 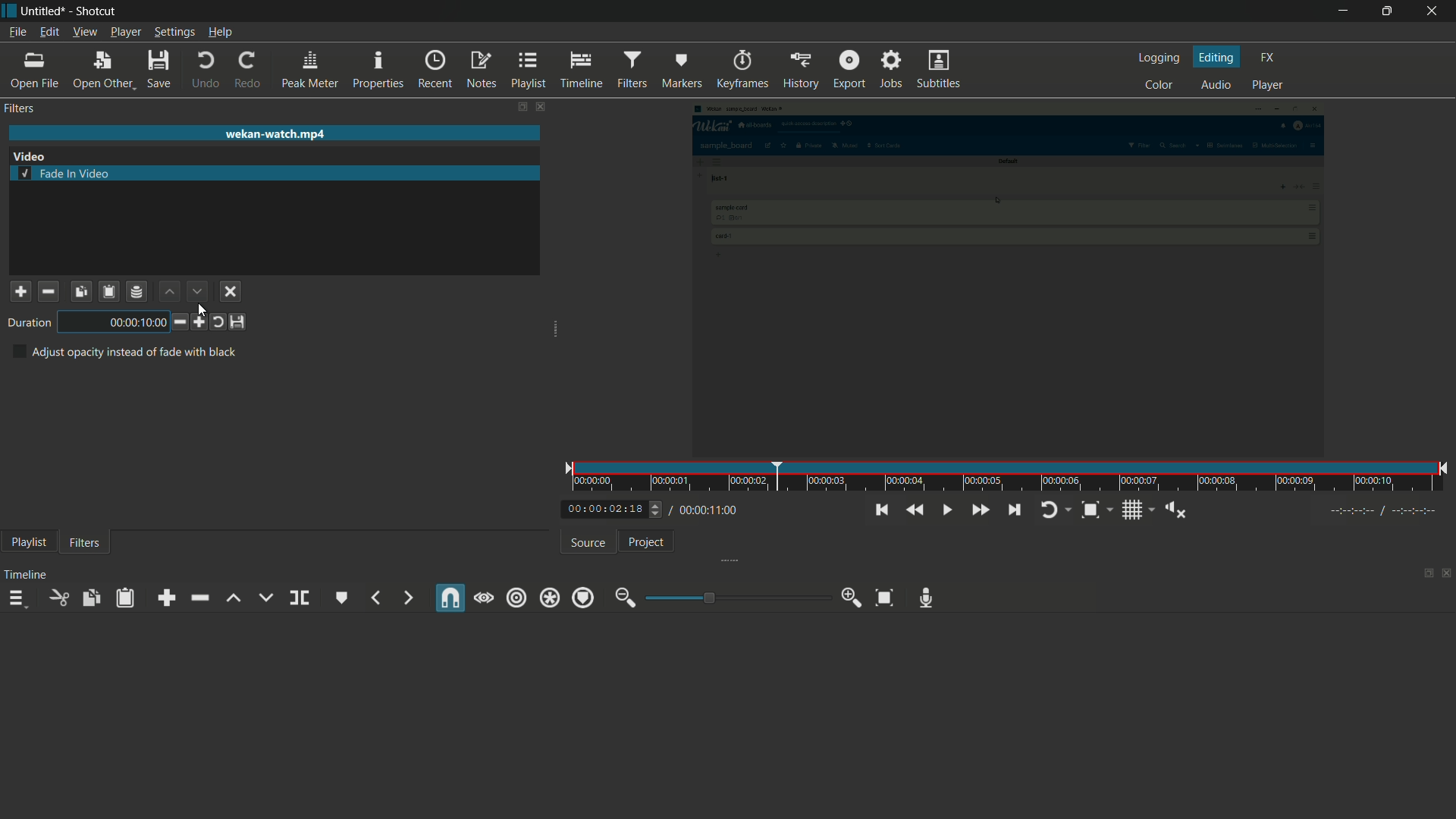 What do you see at coordinates (51, 33) in the screenshot?
I see `edit menu` at bounding box center [51, 33].